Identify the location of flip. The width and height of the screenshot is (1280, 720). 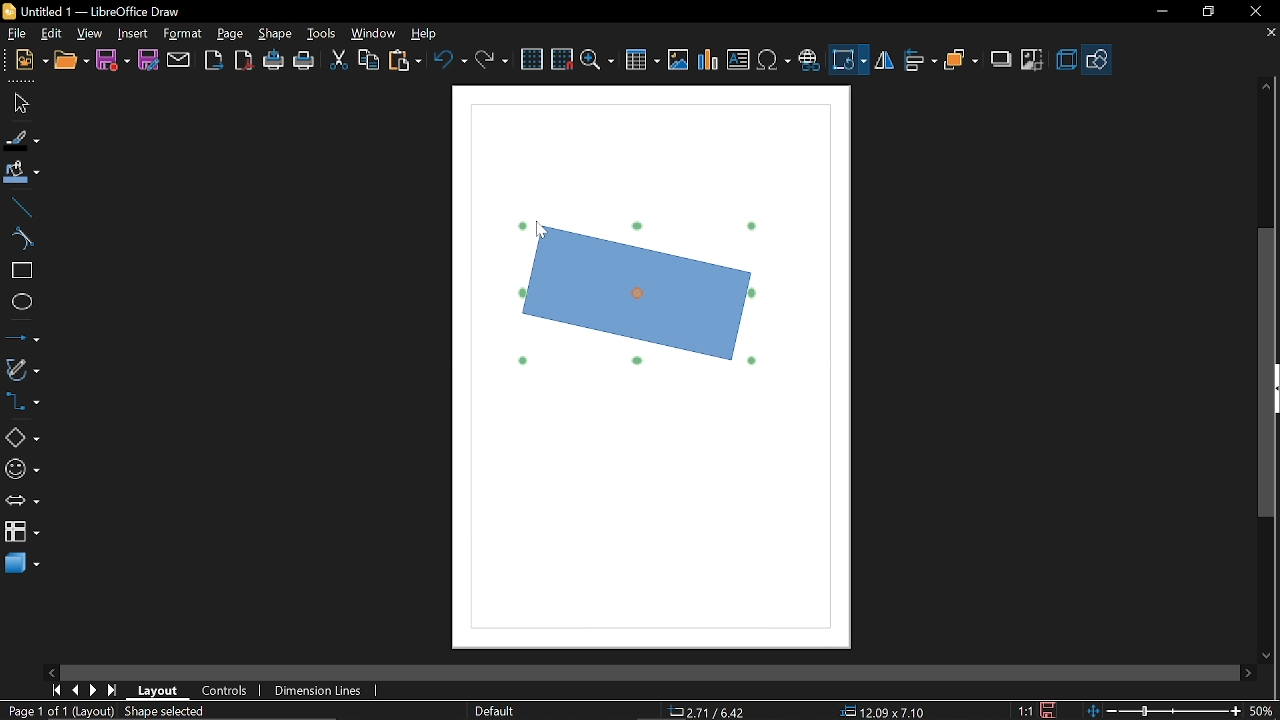
(884, 62).